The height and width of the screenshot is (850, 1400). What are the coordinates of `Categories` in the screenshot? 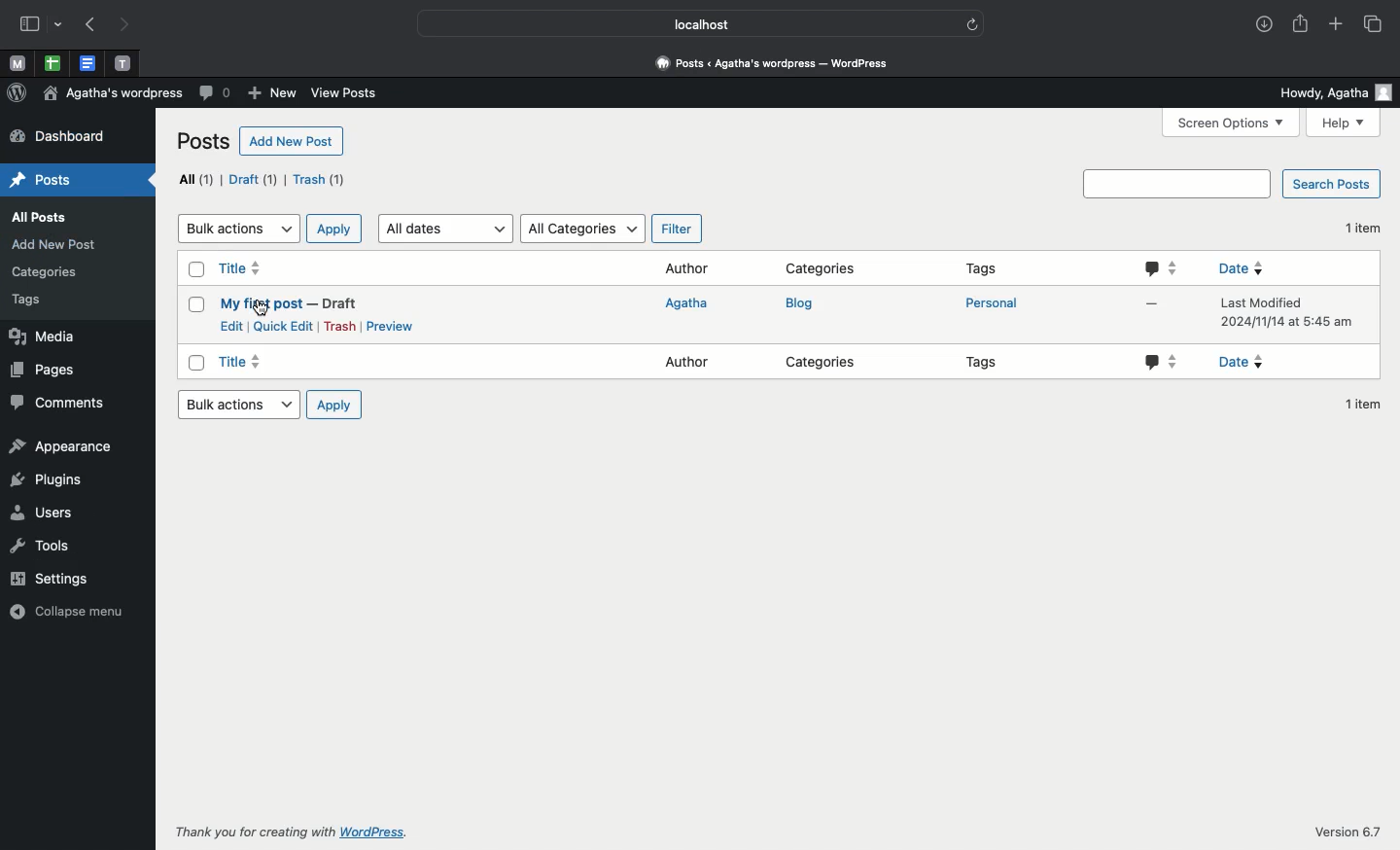 It's located at (51, 269).